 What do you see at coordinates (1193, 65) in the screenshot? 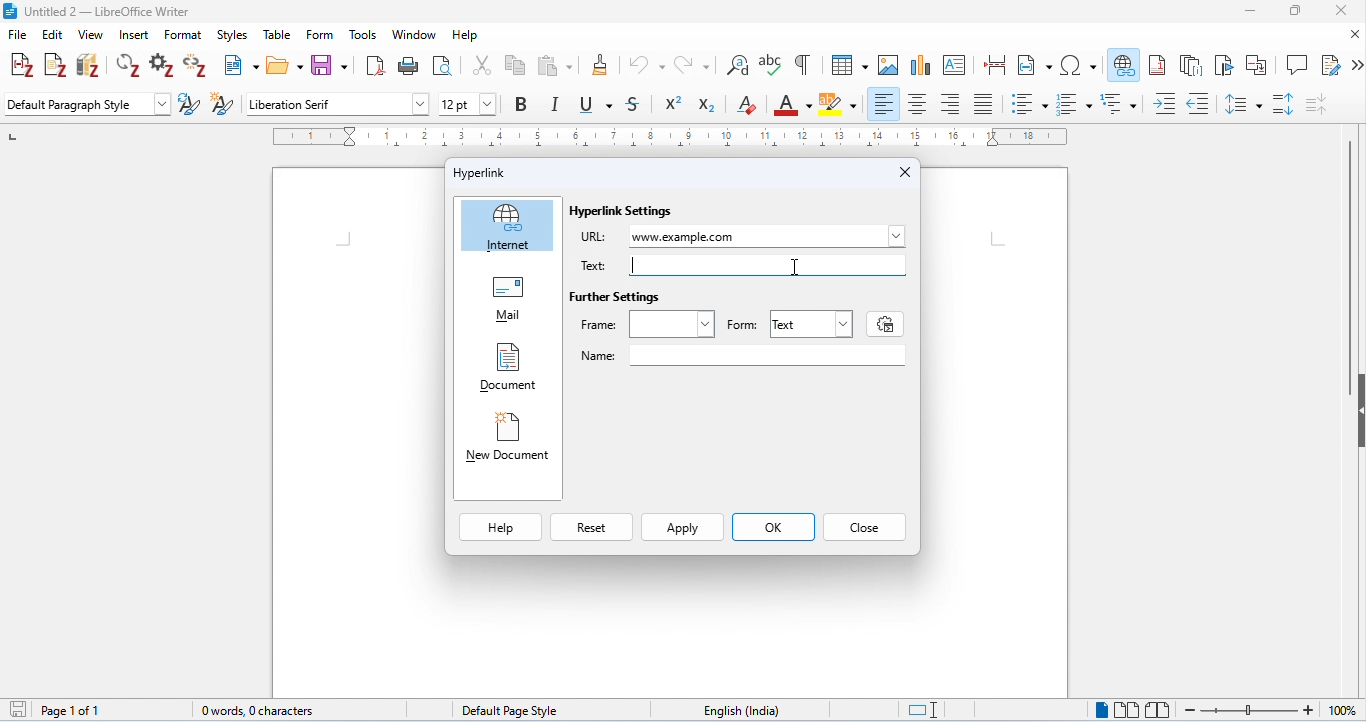
I see `insert endnote` at bounding box center [1193, 65].